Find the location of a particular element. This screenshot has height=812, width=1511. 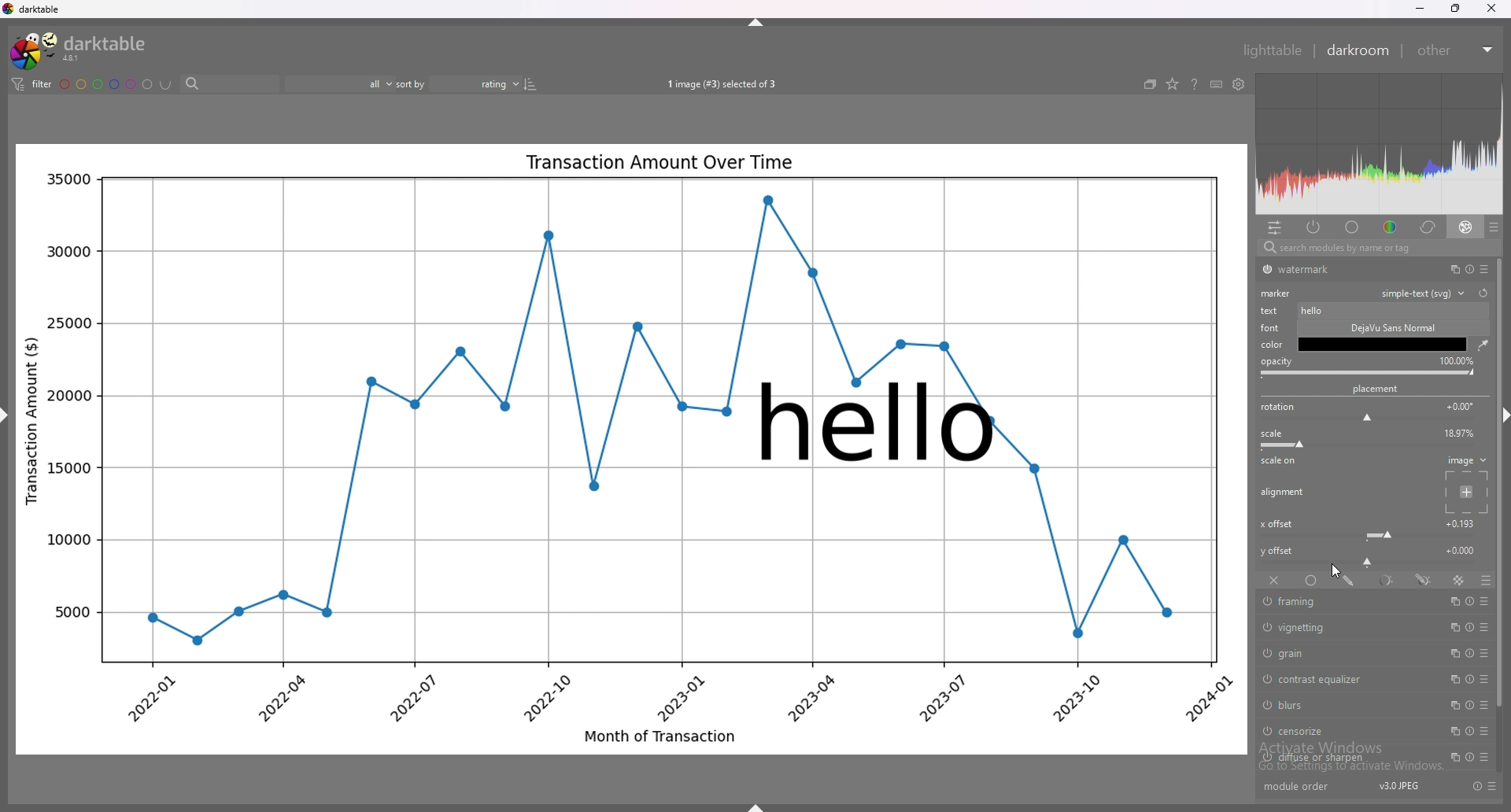

uniformly is located at coordinates (1311, 580).